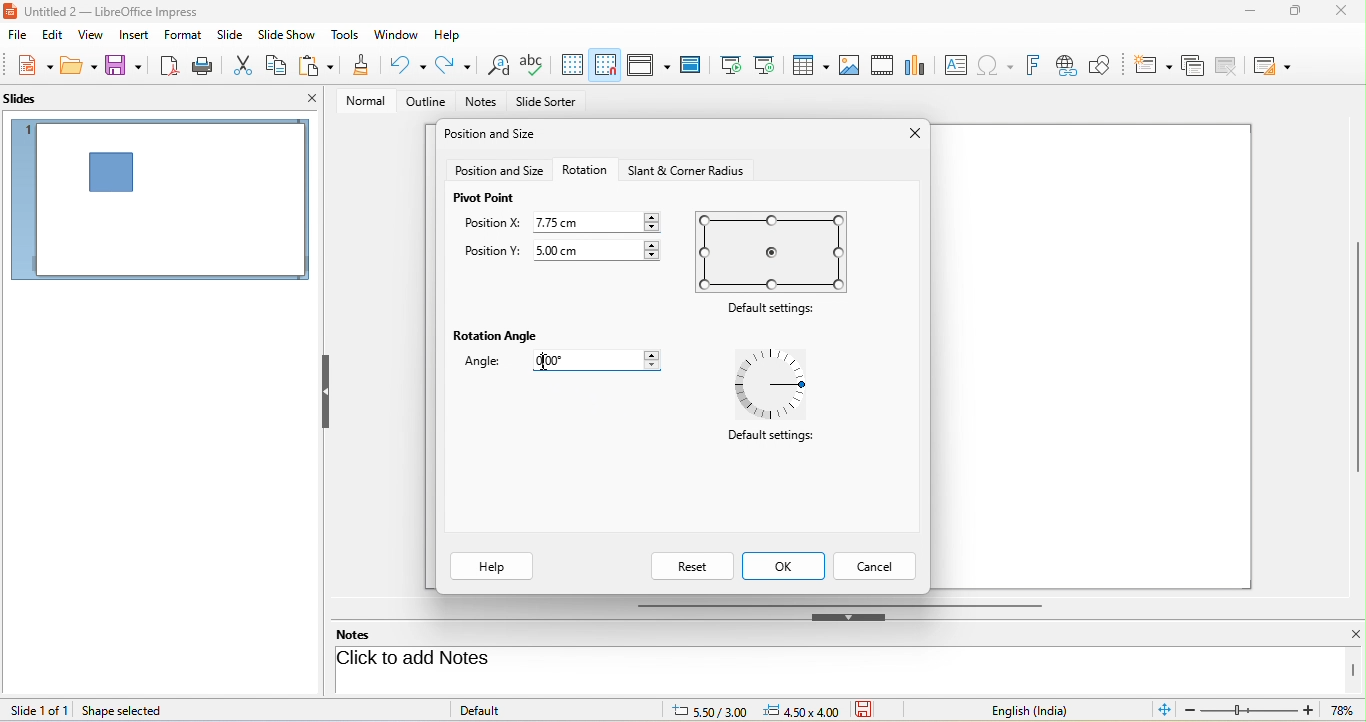 The image size is (1366, 722). I want to click on cut, so click(245, 64).